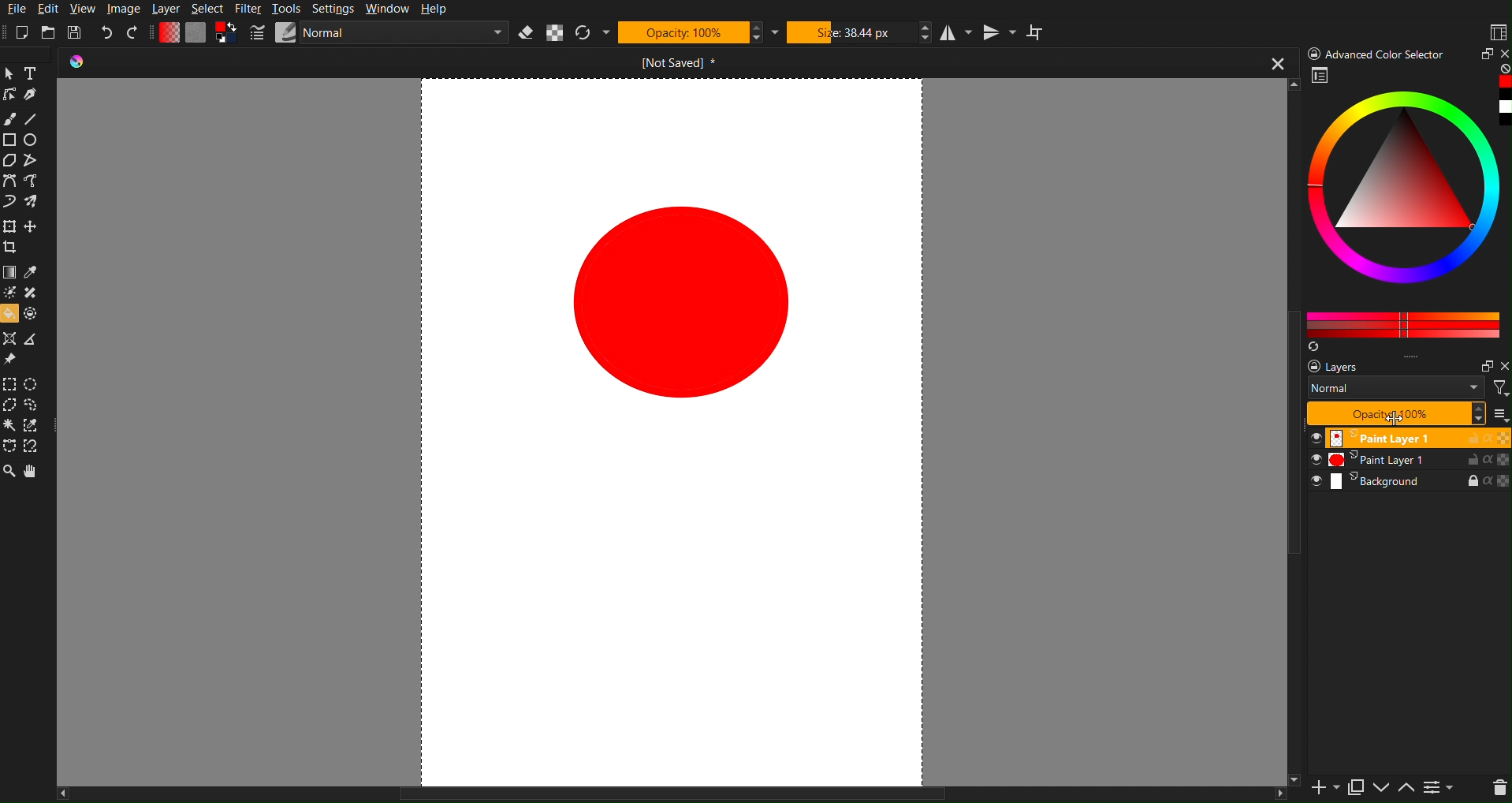  What do you see at coordinates (9, 447) in the screenshot?
I see `Bezier Curve` at bounding box center [9, 447].